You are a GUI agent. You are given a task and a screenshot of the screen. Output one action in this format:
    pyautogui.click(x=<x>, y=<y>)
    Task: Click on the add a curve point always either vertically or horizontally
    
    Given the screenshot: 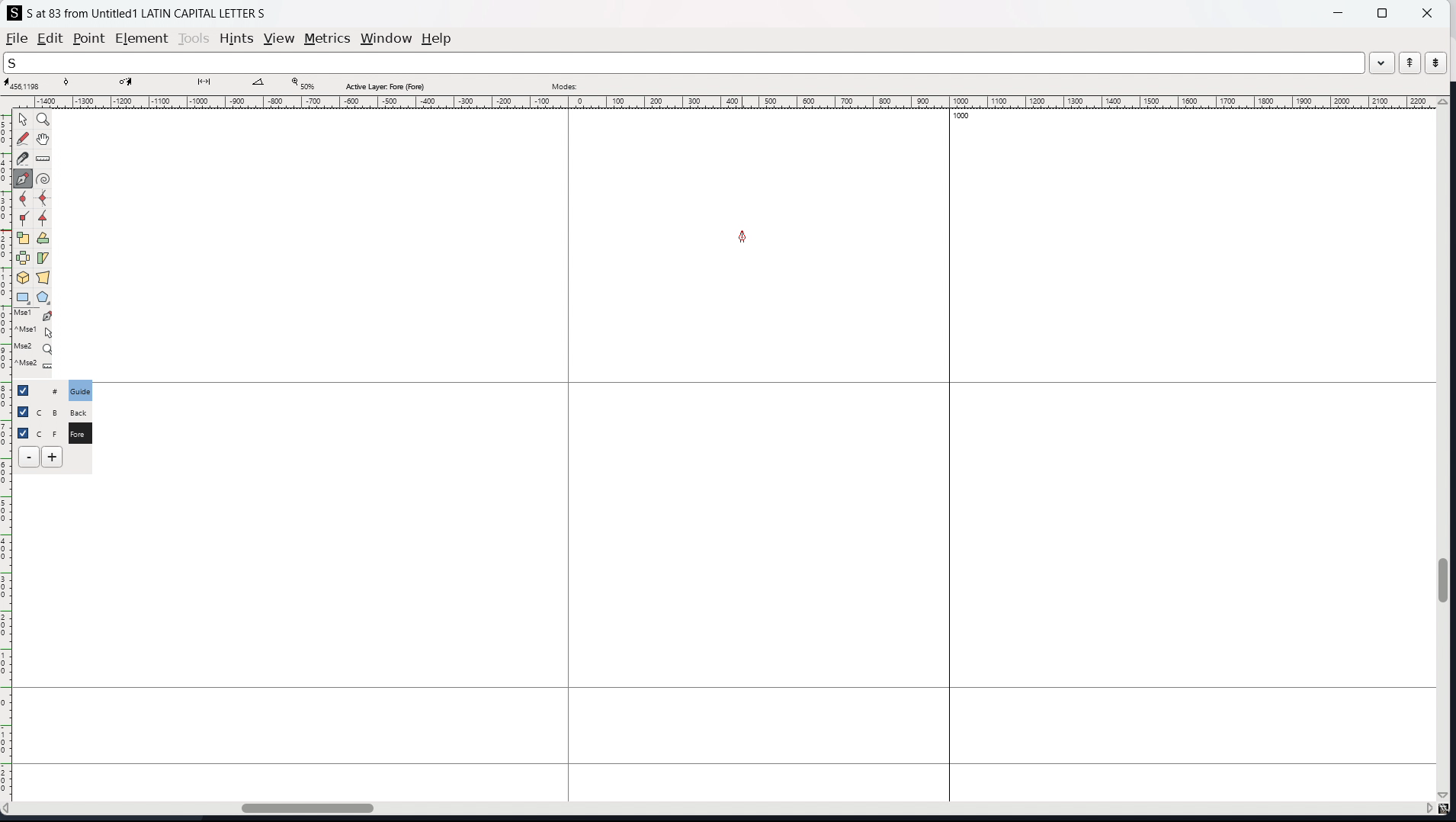 What is the action you would take?
    pyautogui.click(x=44, y=199)
    